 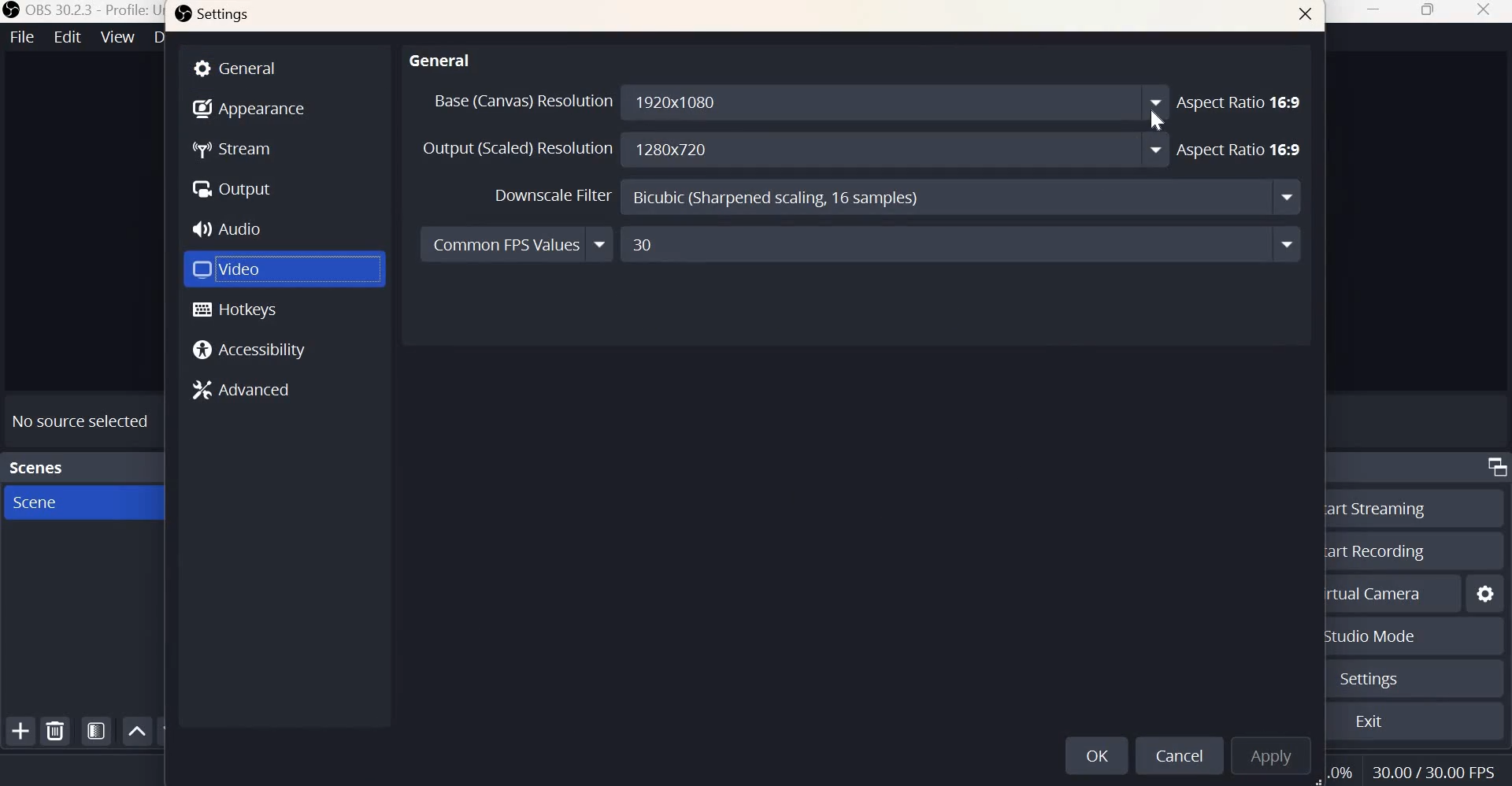 I want to click on 1920*1080, so click(x=691, y=102).